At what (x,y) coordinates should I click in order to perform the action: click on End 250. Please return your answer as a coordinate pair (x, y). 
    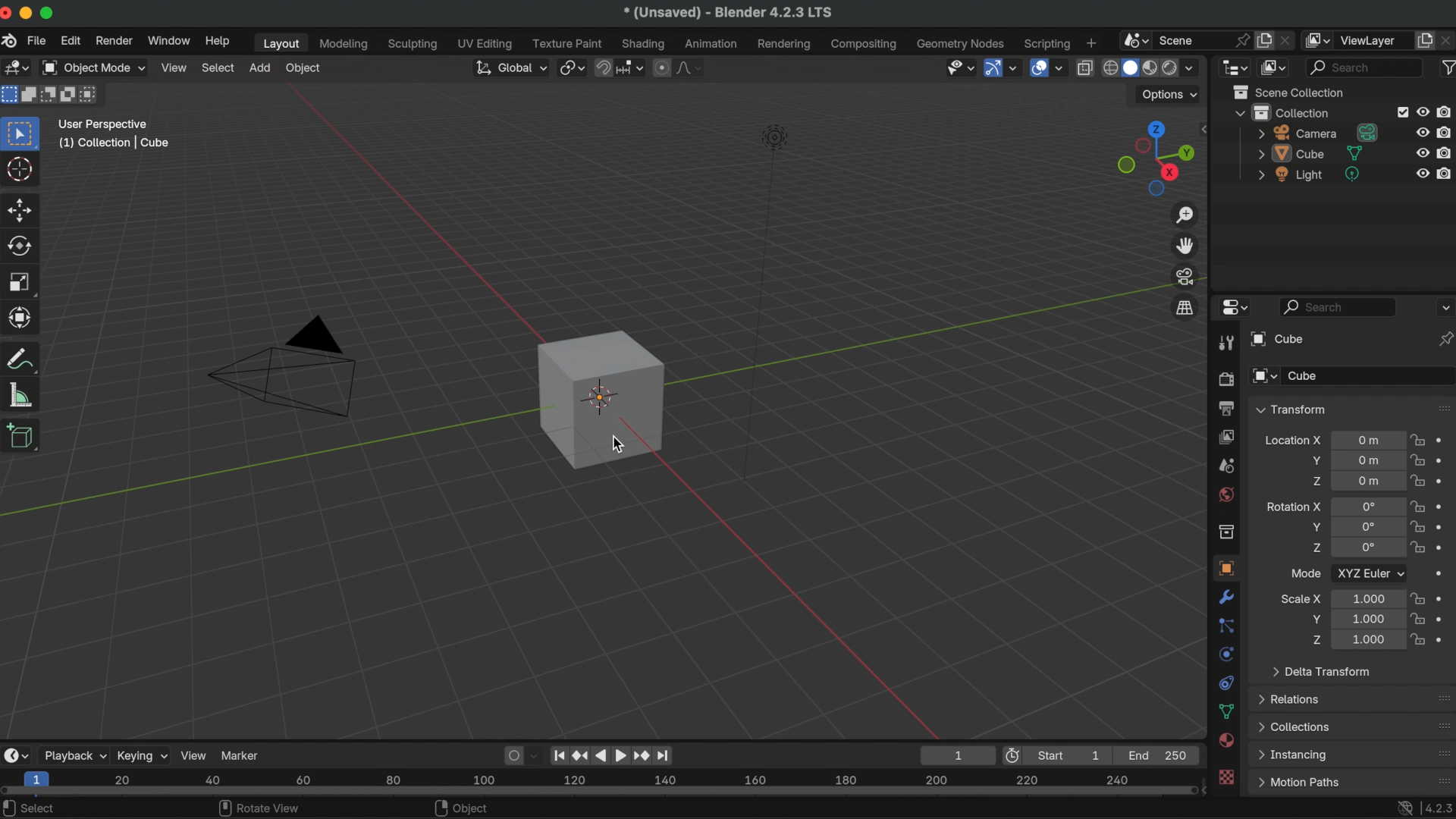
    Looking at the image, I should click on (1159, 755).